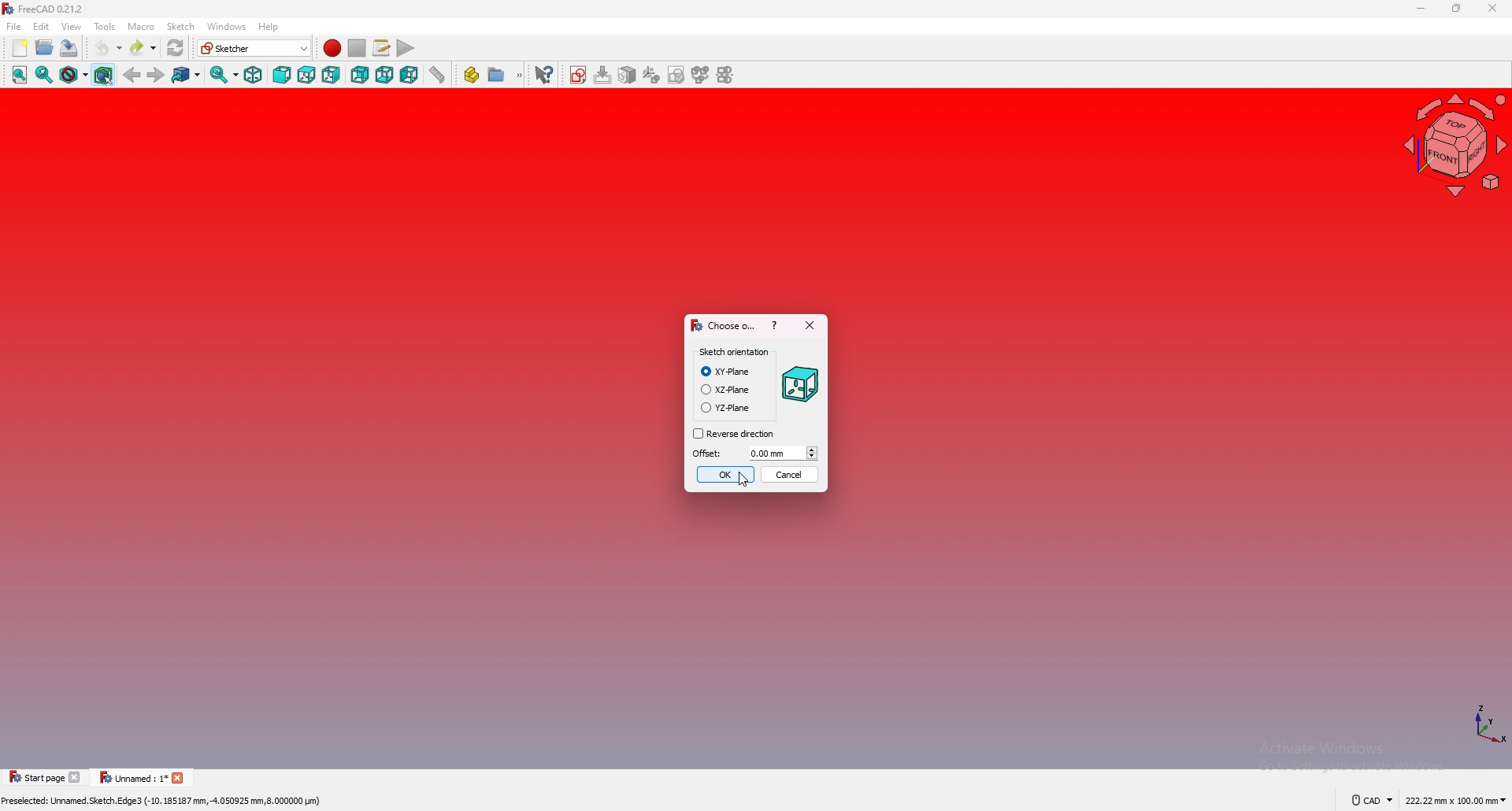  Describe the element at coordinates (70, 49) in the screenshot. I see `save` at that location.